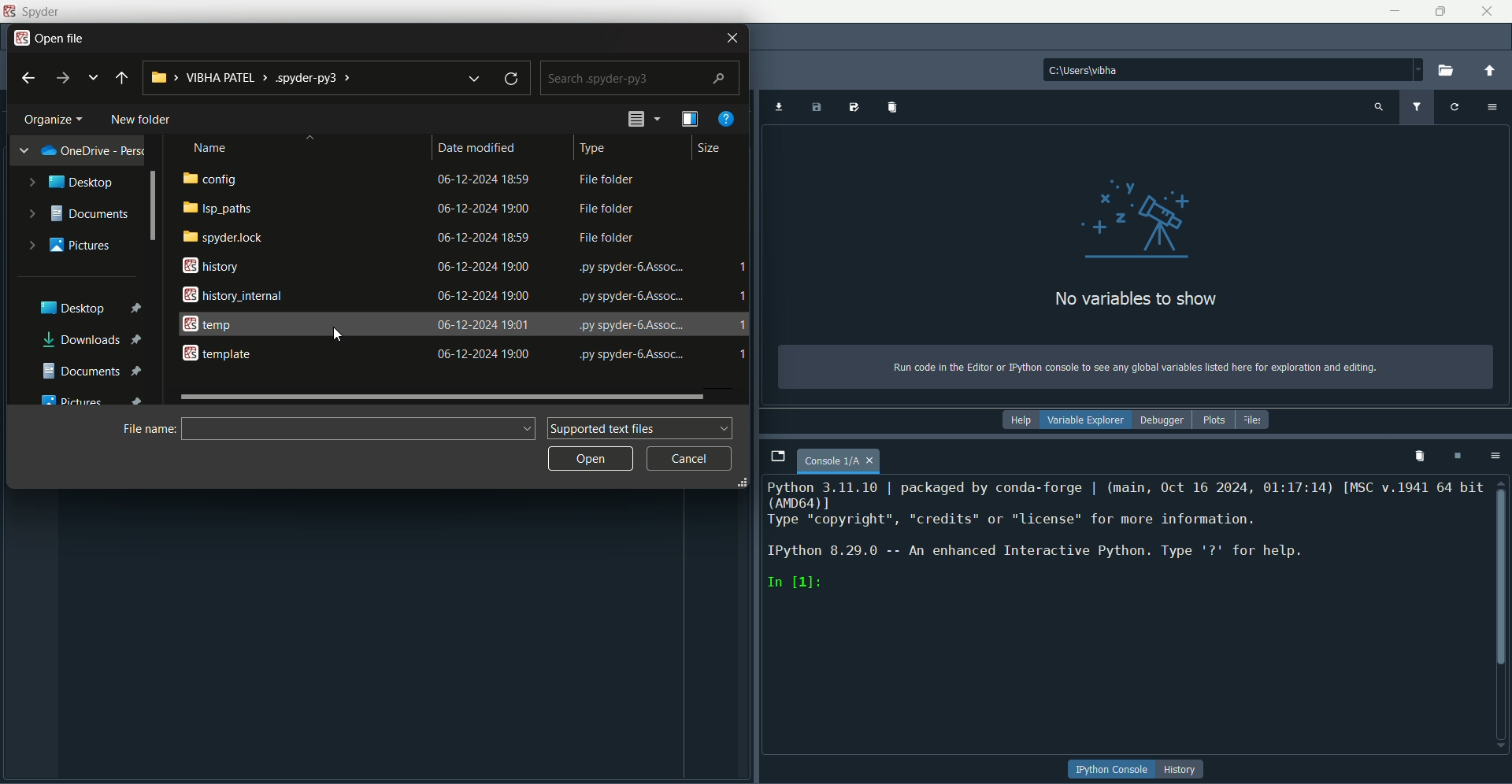  I want to click on documents, so click(92, 369).